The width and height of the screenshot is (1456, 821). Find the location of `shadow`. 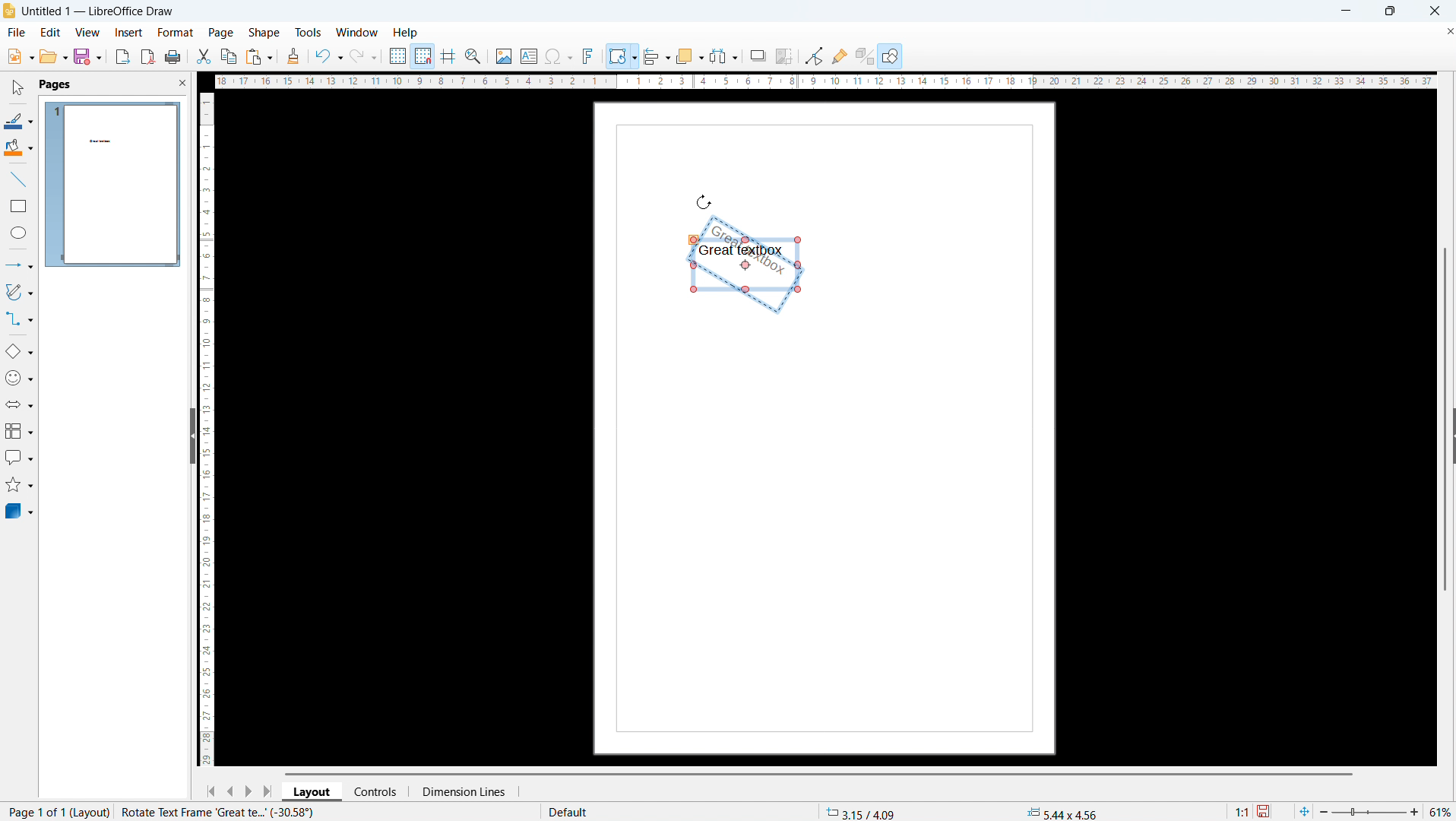

shadow is located at coordinates (758, 55).